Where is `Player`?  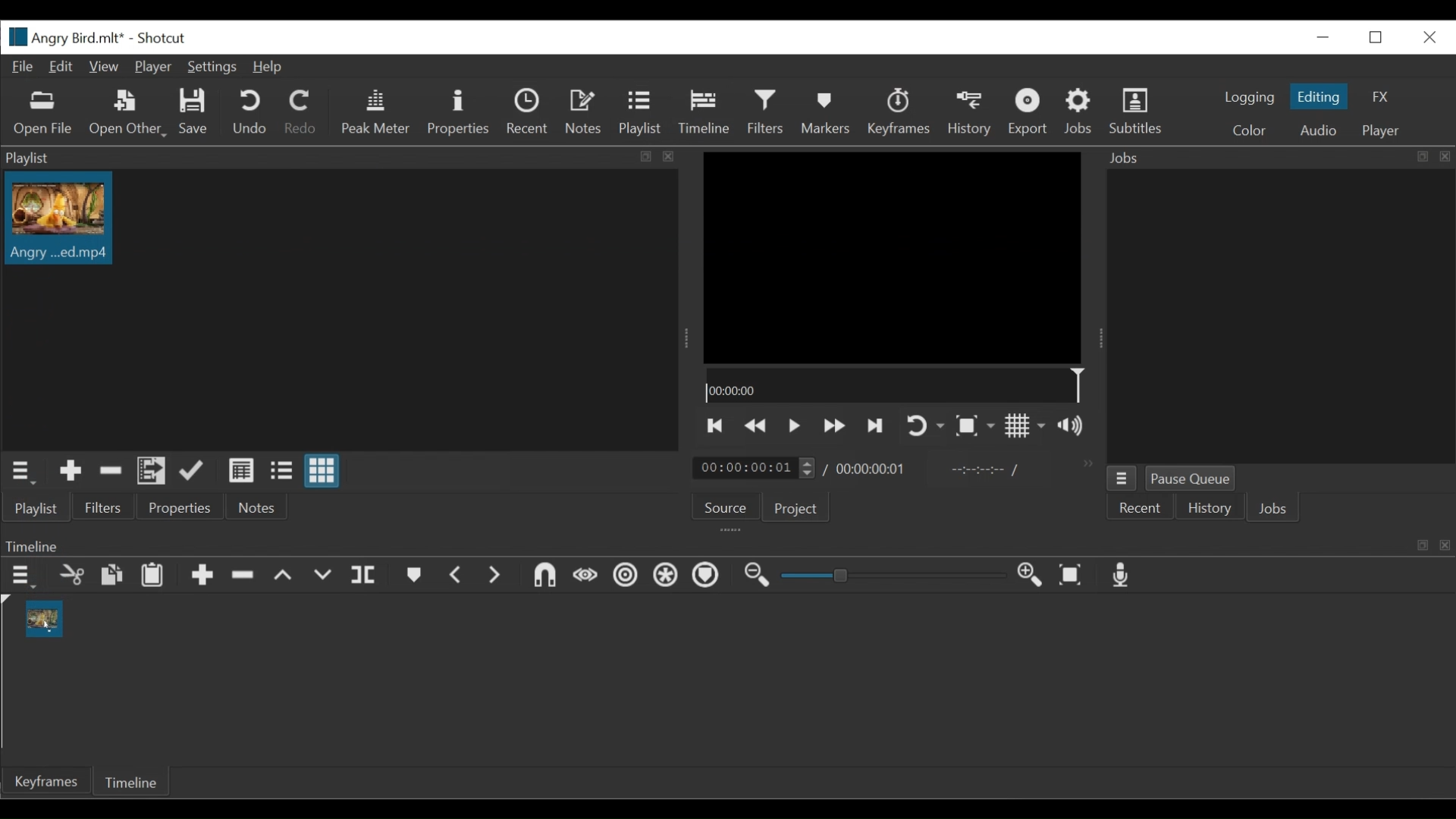
Player is located at coordinates (152, 67).